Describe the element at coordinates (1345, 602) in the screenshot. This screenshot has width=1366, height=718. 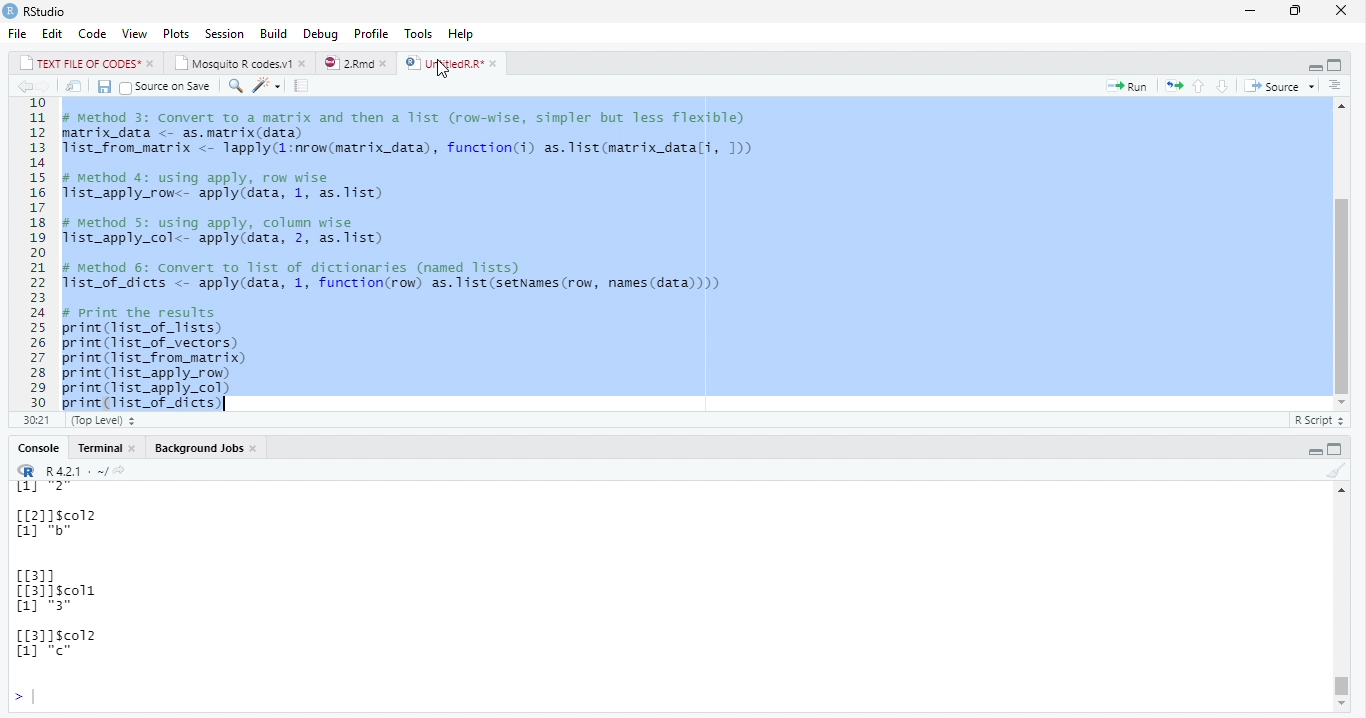
I see `scrollbar` at that location.